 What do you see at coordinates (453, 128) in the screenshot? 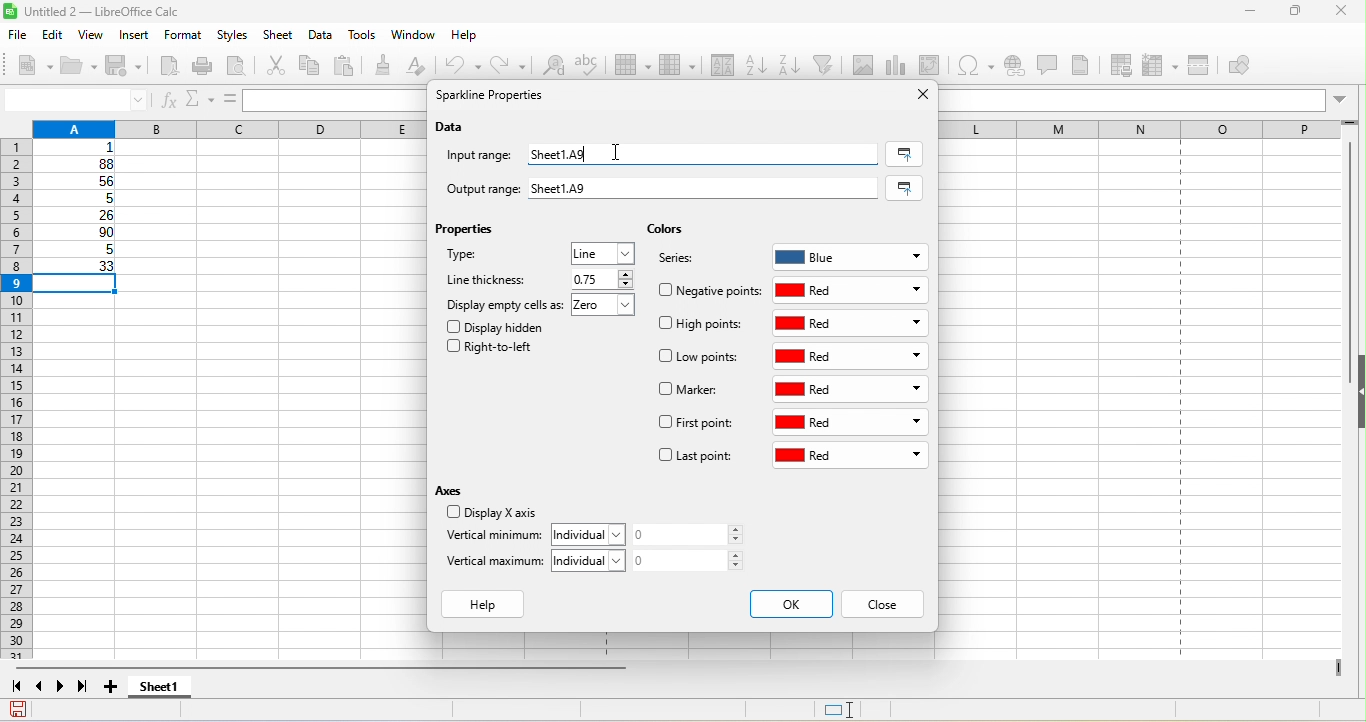
I see `data` at bounding box center [453, 128].